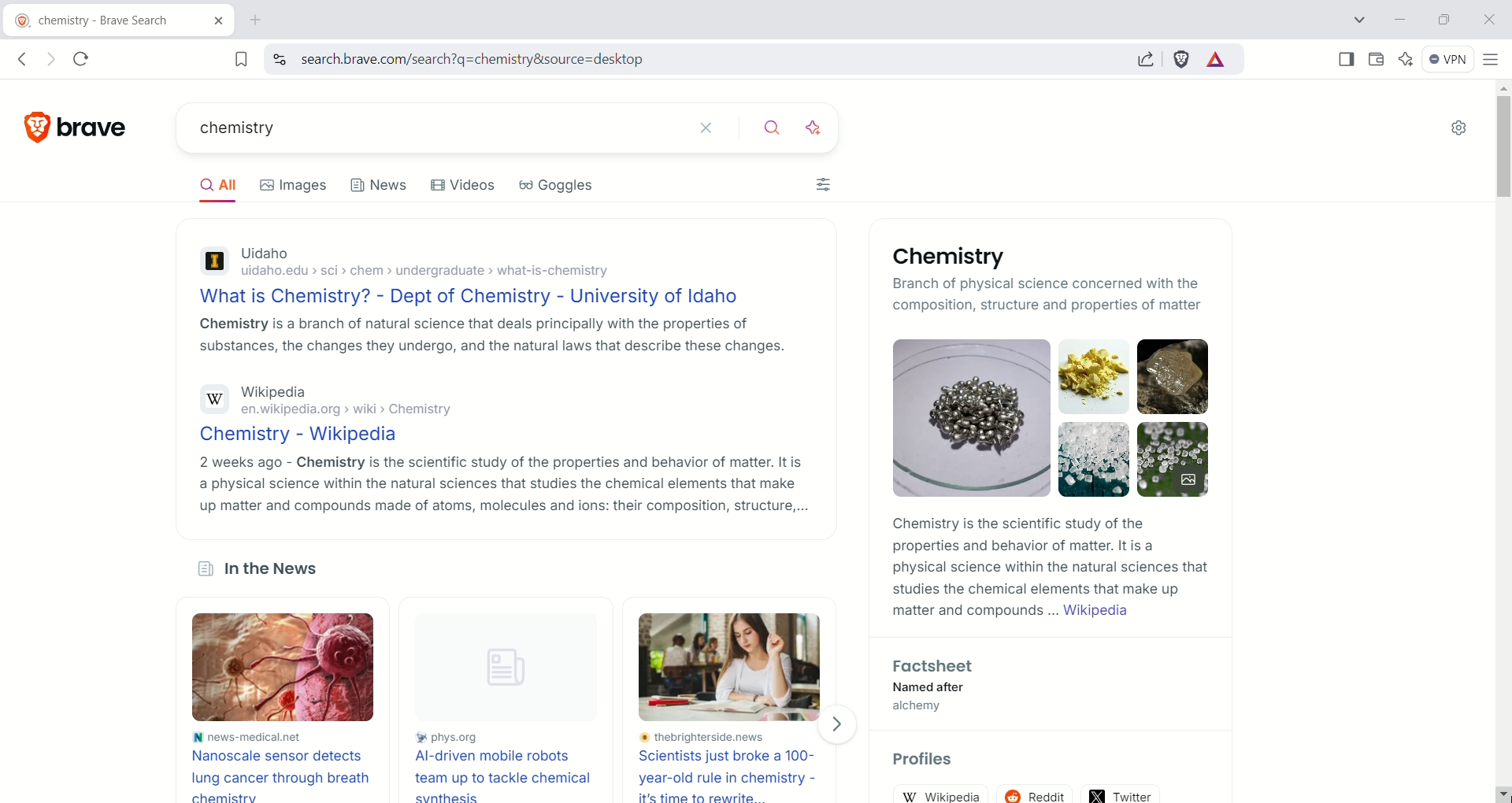  Describe the element at coordinates (1054, 417) in the screenshot. I see `Chemical compounds` at that location.